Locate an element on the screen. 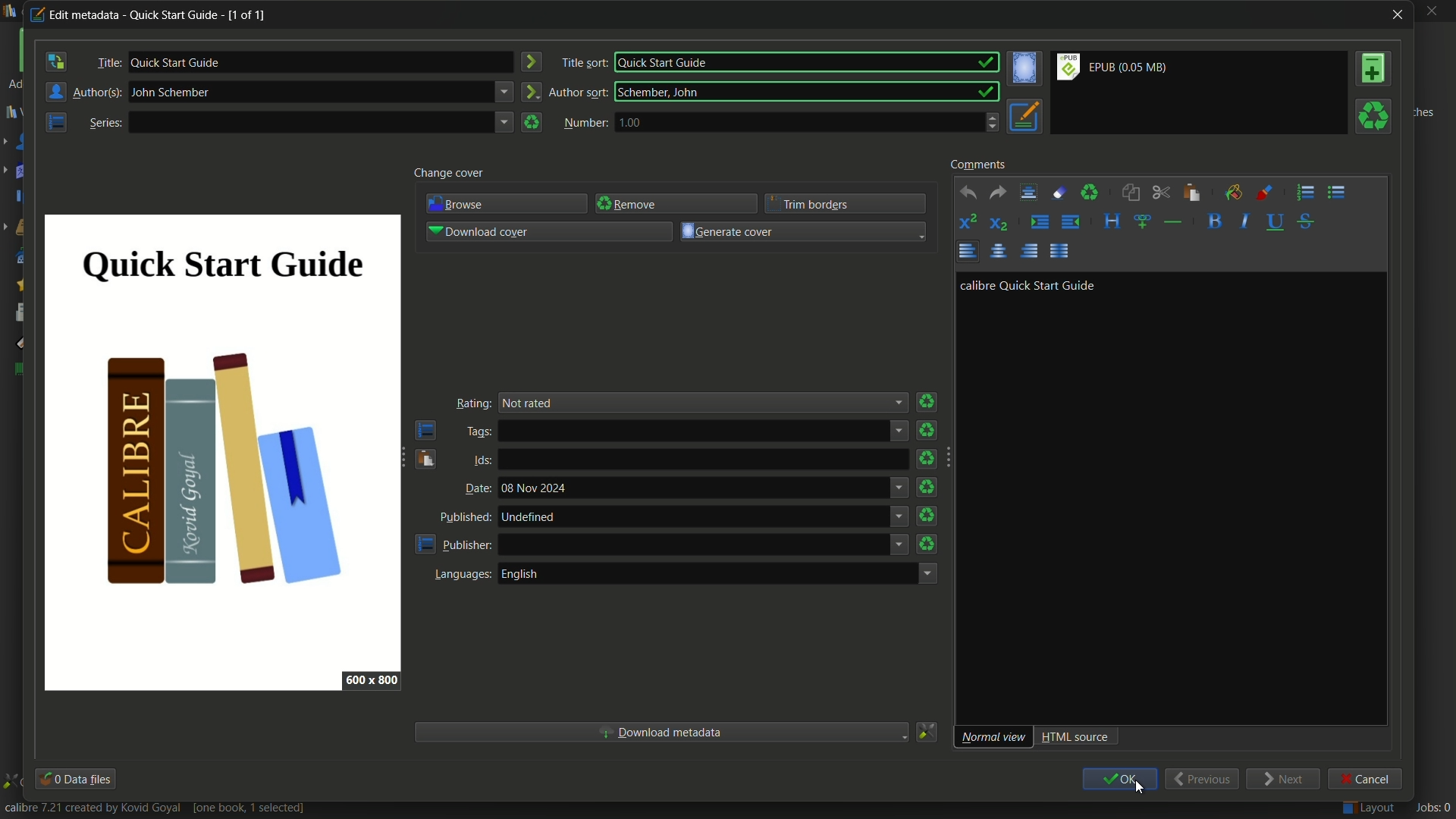 This screenshot has width=1456, height=819. file is located at coordinates (1130, 70).